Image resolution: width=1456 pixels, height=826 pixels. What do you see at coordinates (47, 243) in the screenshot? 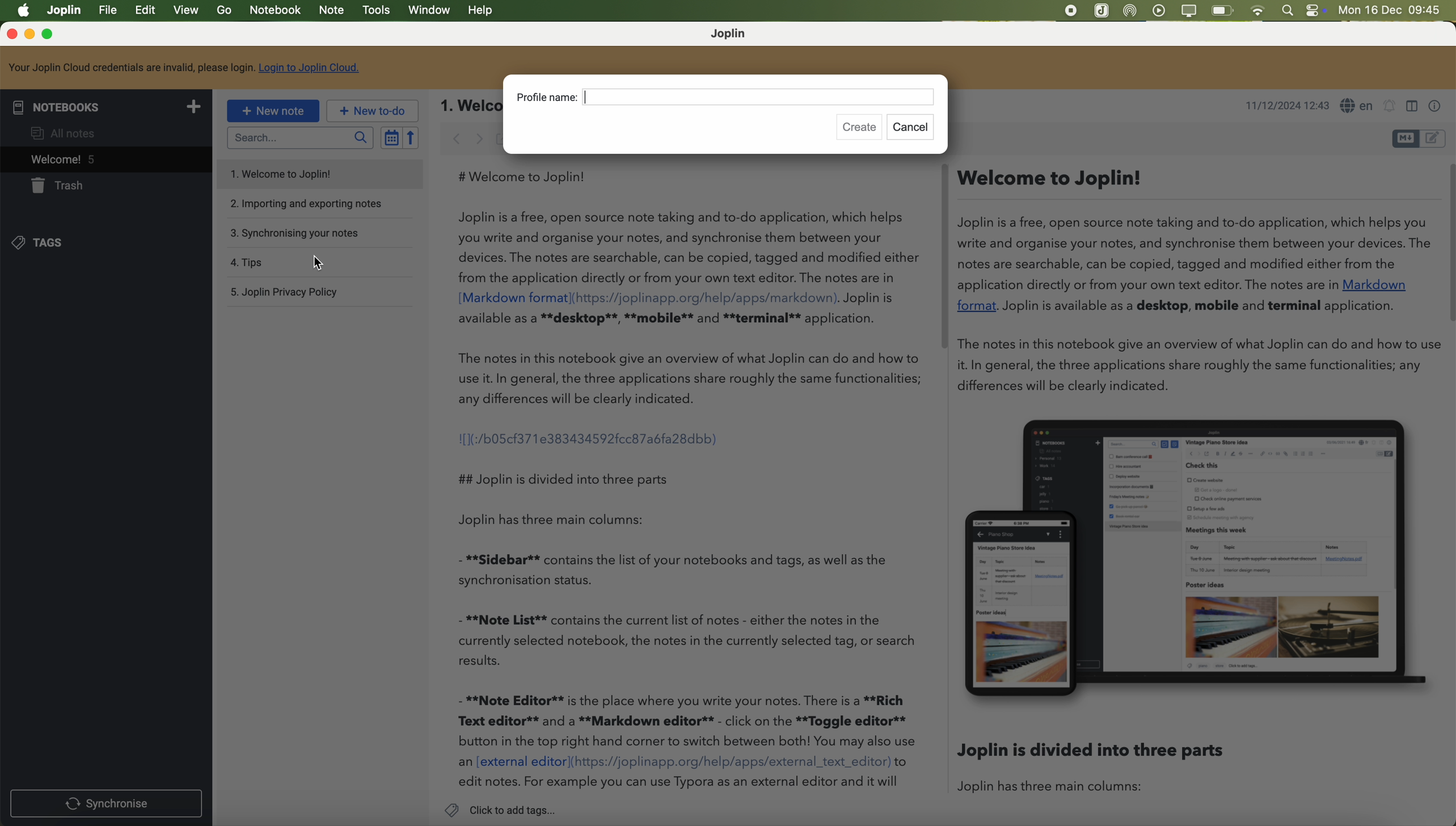
I see `tags` at bounding box center [47, 243].